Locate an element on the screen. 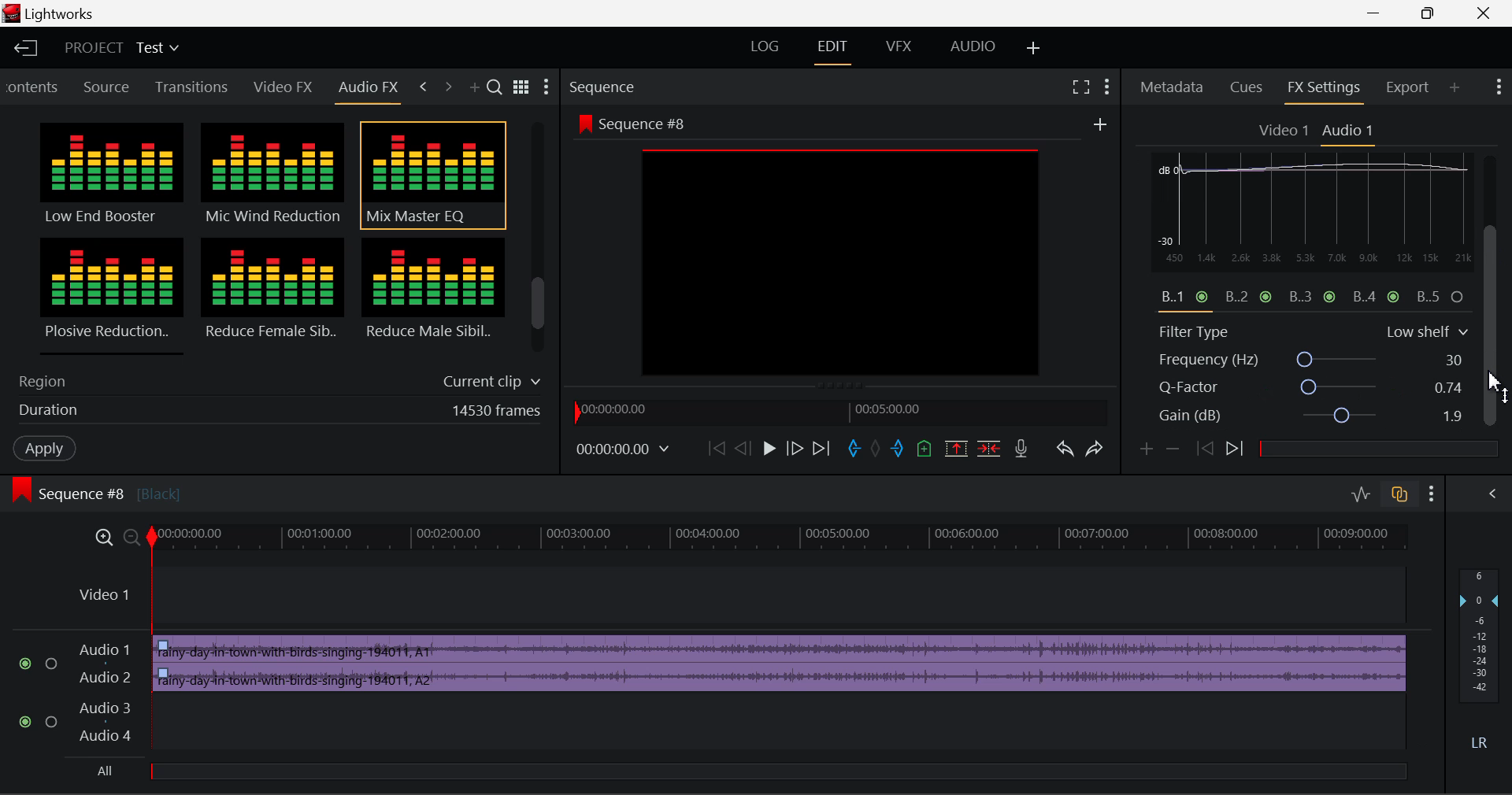 This screenshot has width=1512, height=795. EQ Graph is located at coordinates (1303, 244).